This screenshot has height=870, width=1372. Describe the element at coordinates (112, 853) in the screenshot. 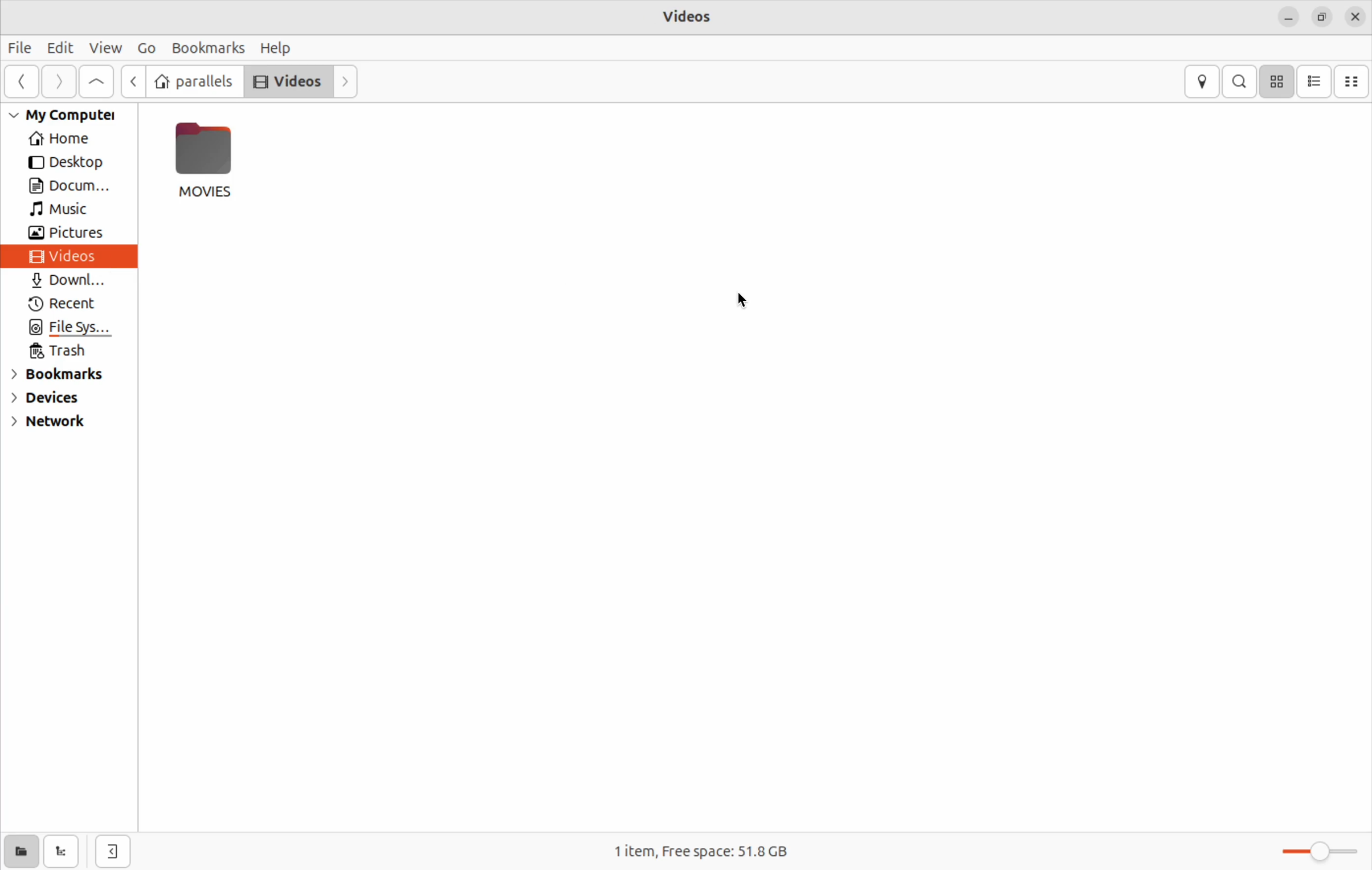

I see `close side bar` at that location.